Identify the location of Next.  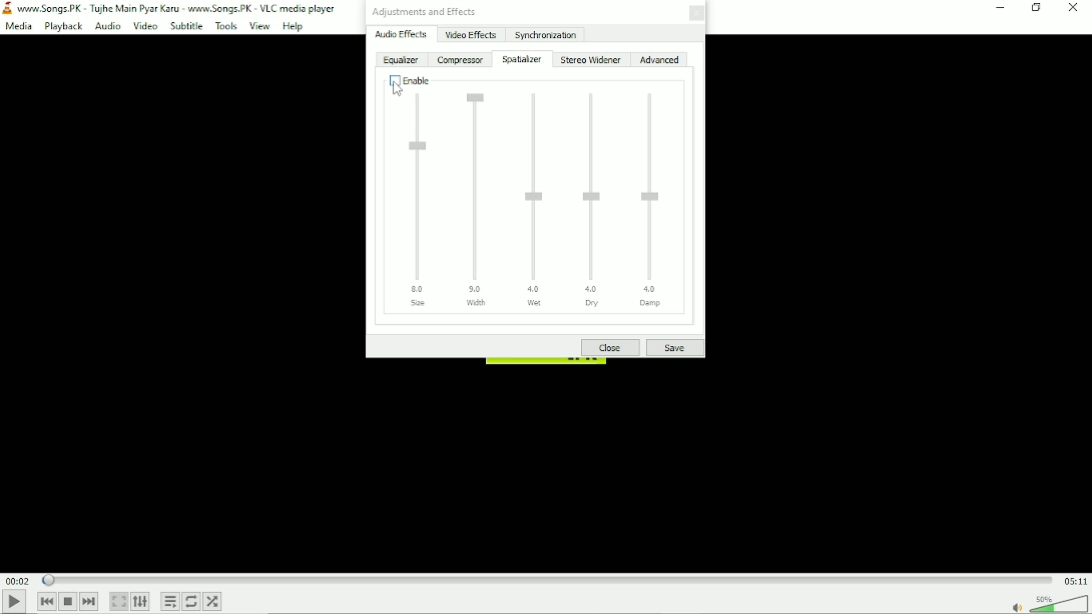
(90, 601).